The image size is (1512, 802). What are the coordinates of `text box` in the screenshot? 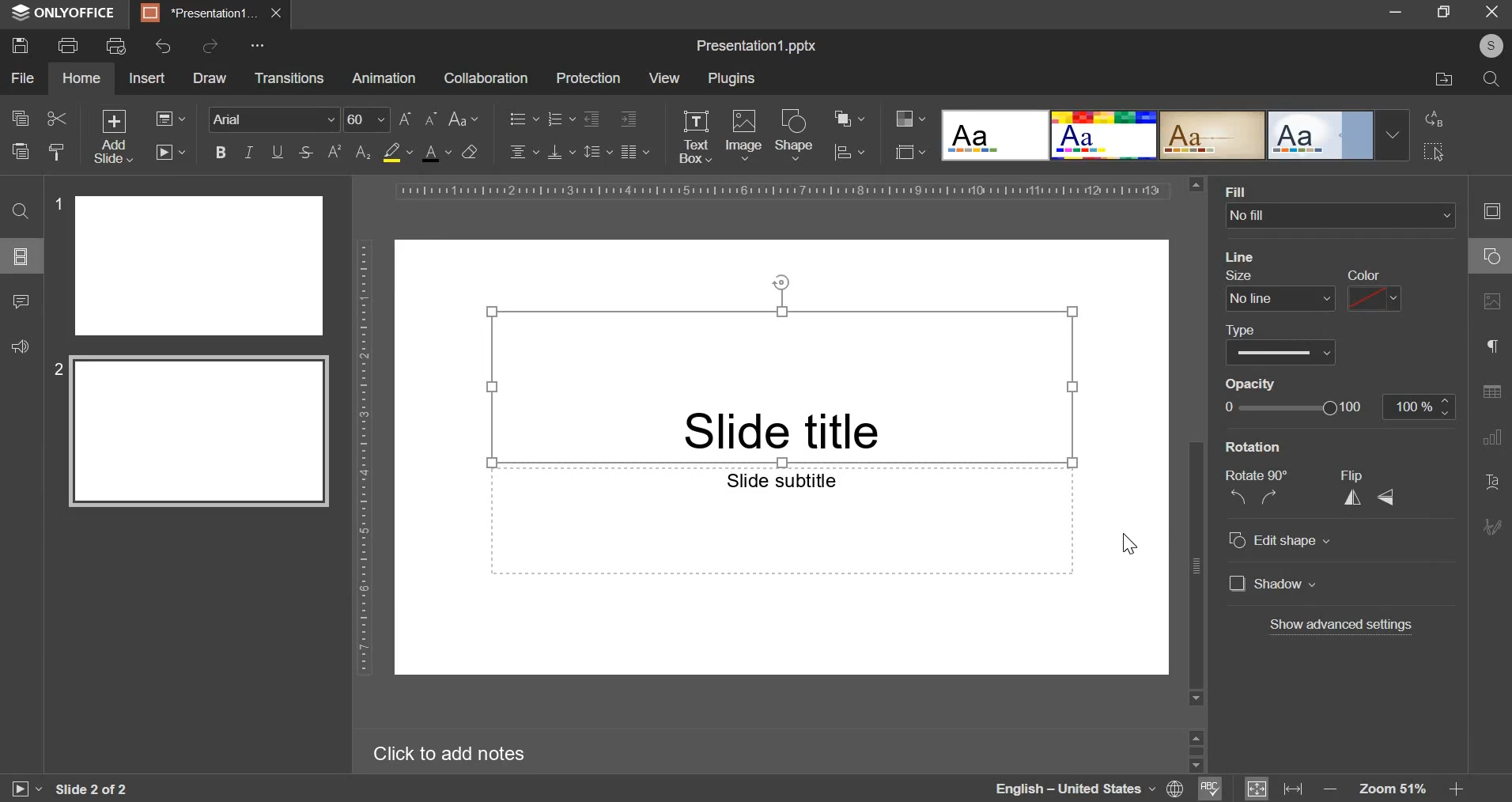 It's located at (694, 137).